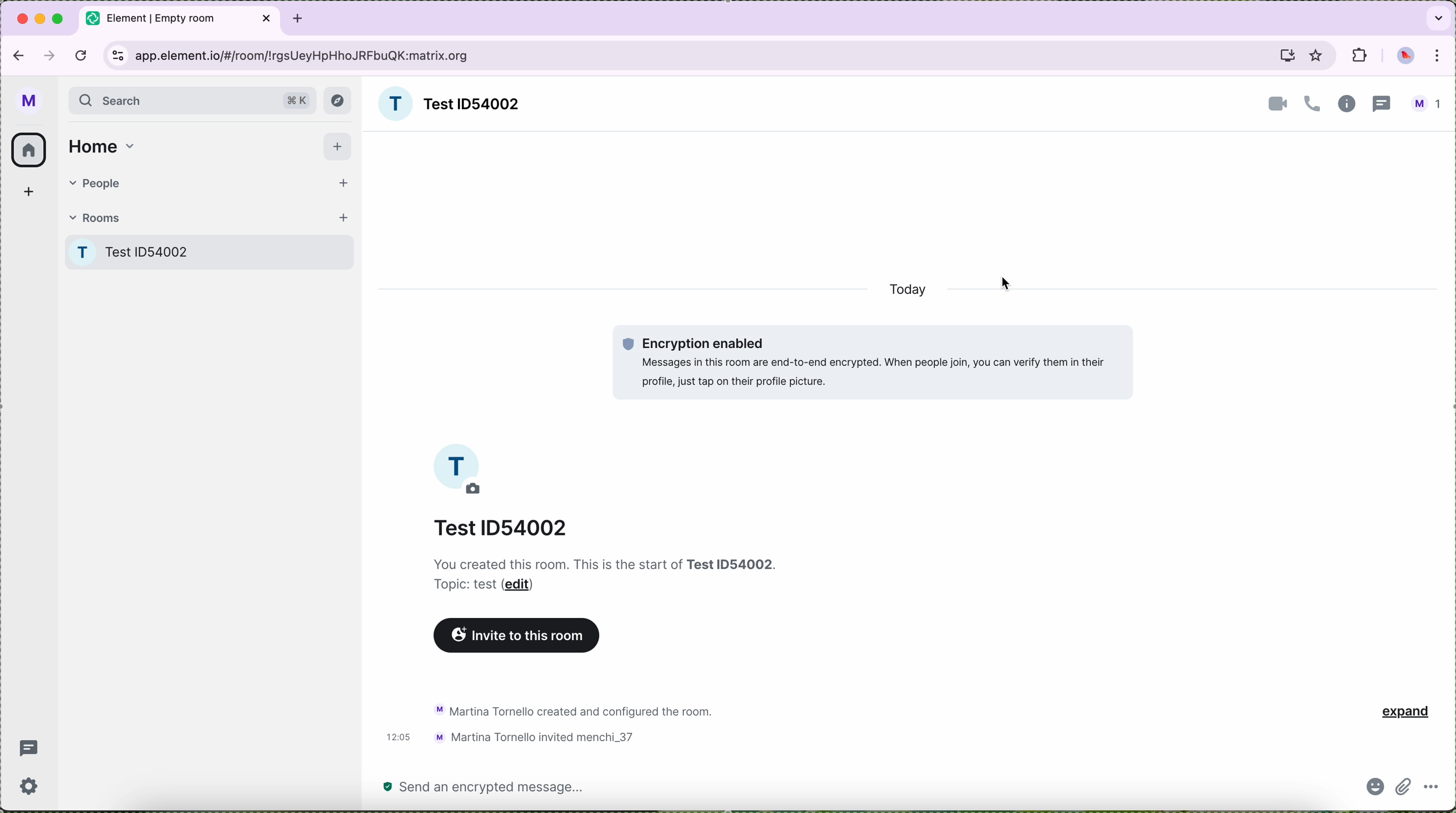  Describe the element at coordinates (1432, 788) in the screenshot. I see `more options` at that location.